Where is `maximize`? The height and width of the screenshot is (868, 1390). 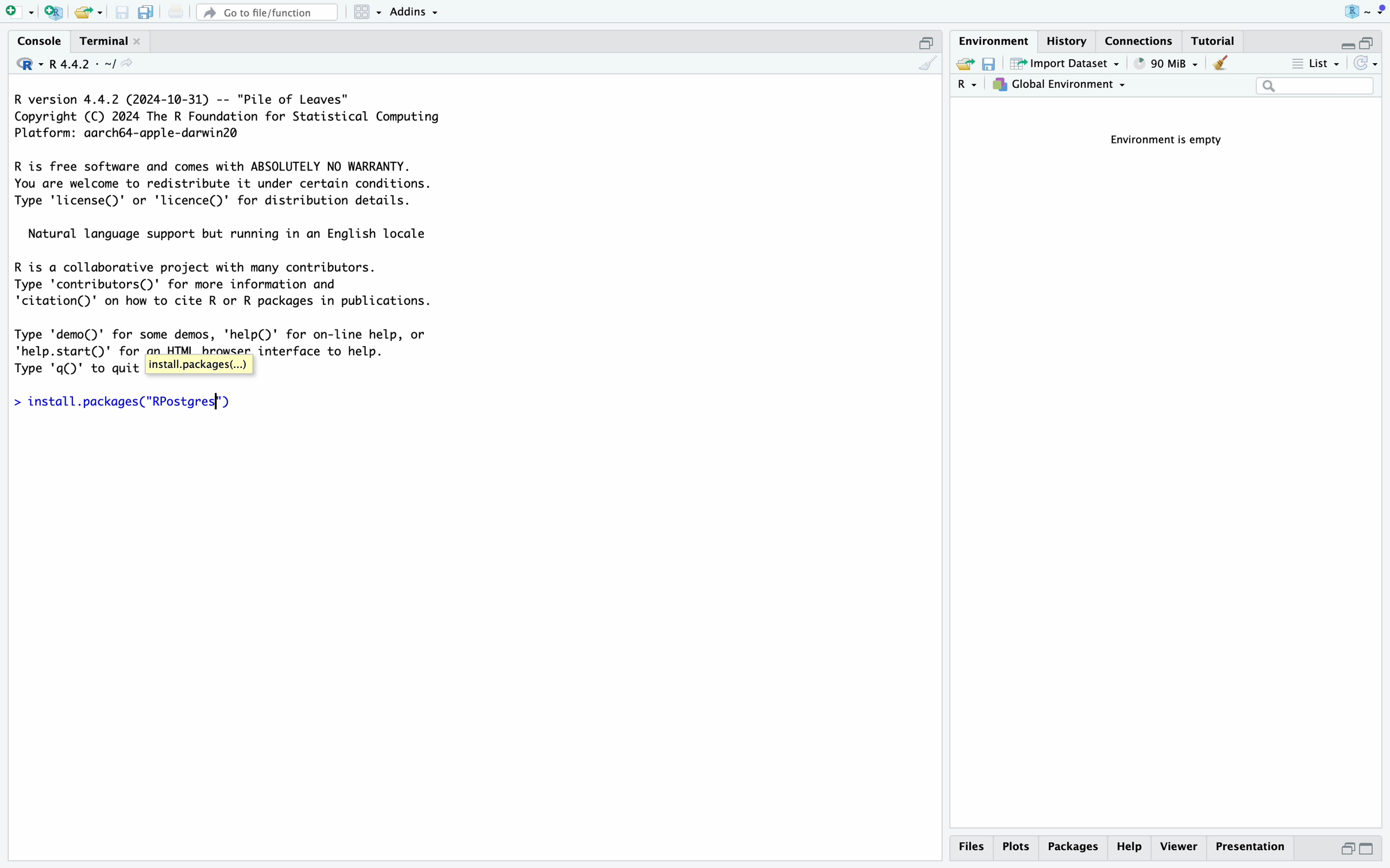
maximize is located at coordinates (928, 40).